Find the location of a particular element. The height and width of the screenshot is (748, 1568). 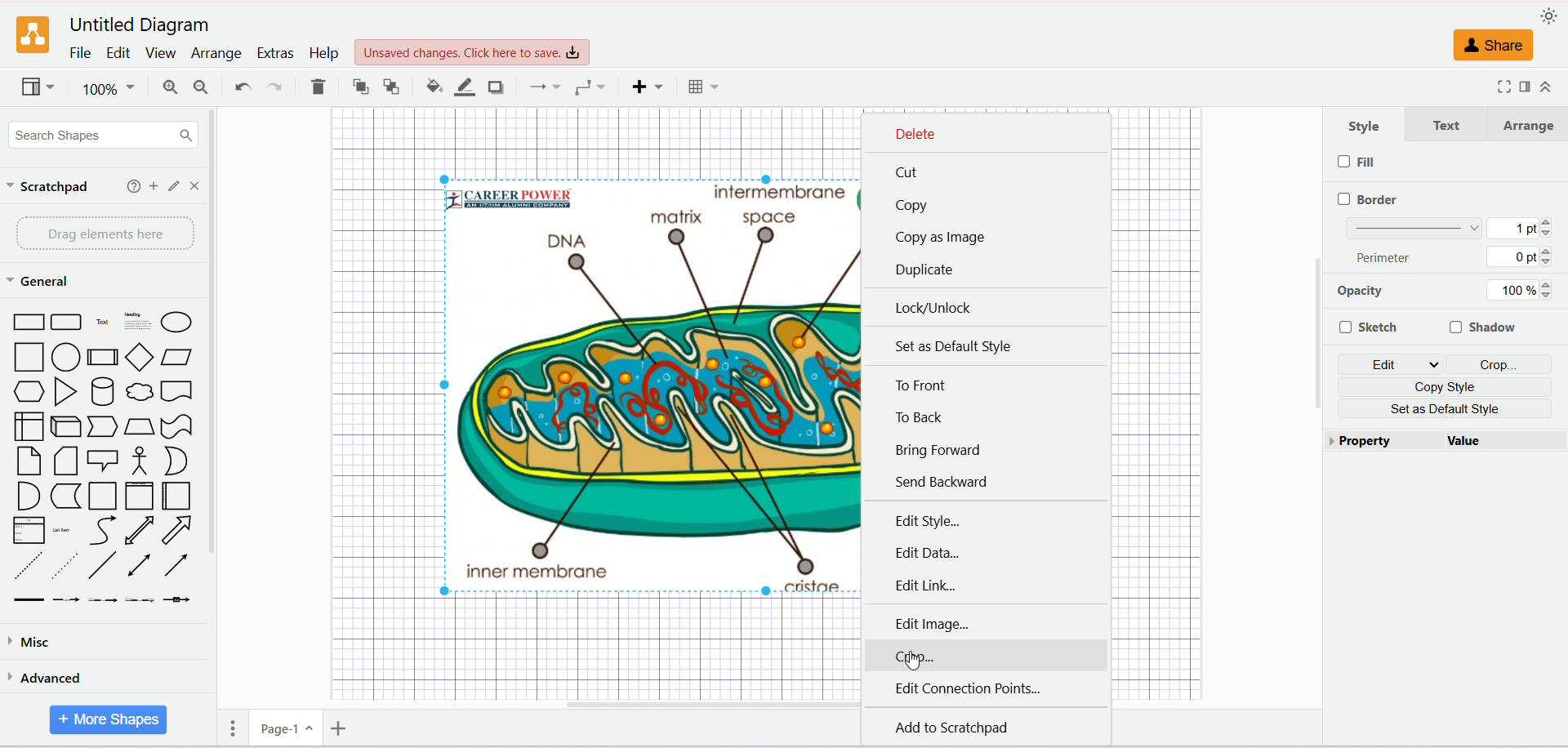

help is located at coordinates (325, 52).